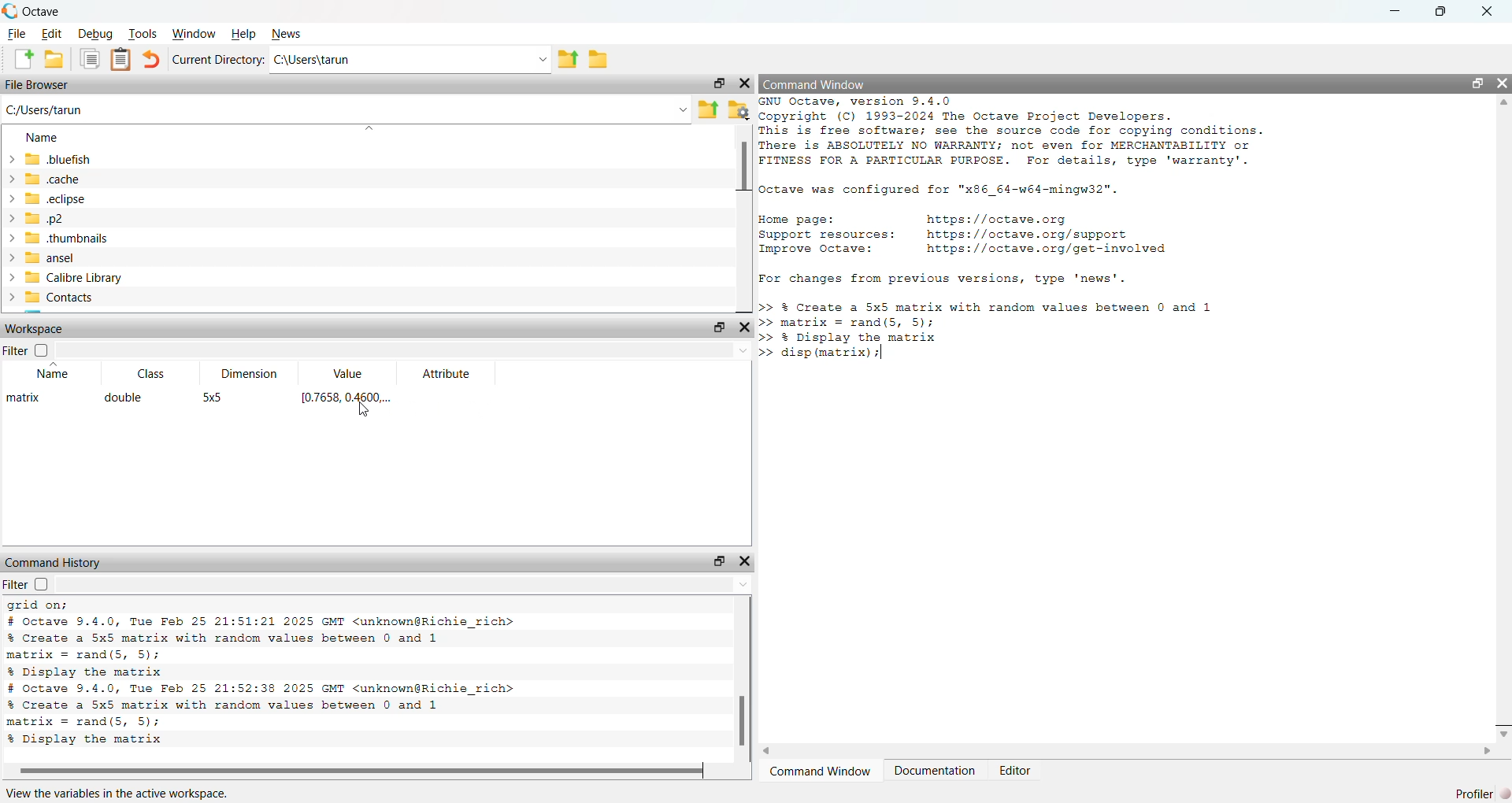 The image size is (1512, 803). What do you see at coordinates (52, 159) in the screenshot?
I see `bluefish` at bounding box center [52, 159].